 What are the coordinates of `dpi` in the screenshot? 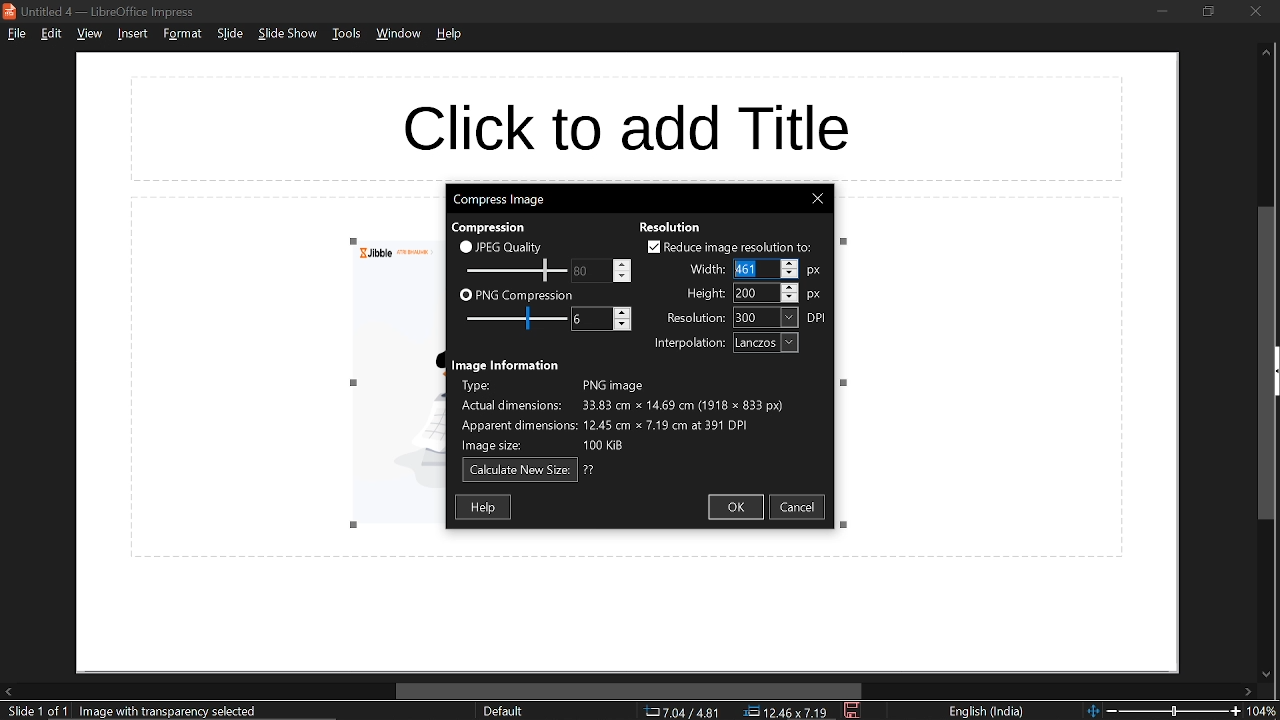 It's located at (819, 318).